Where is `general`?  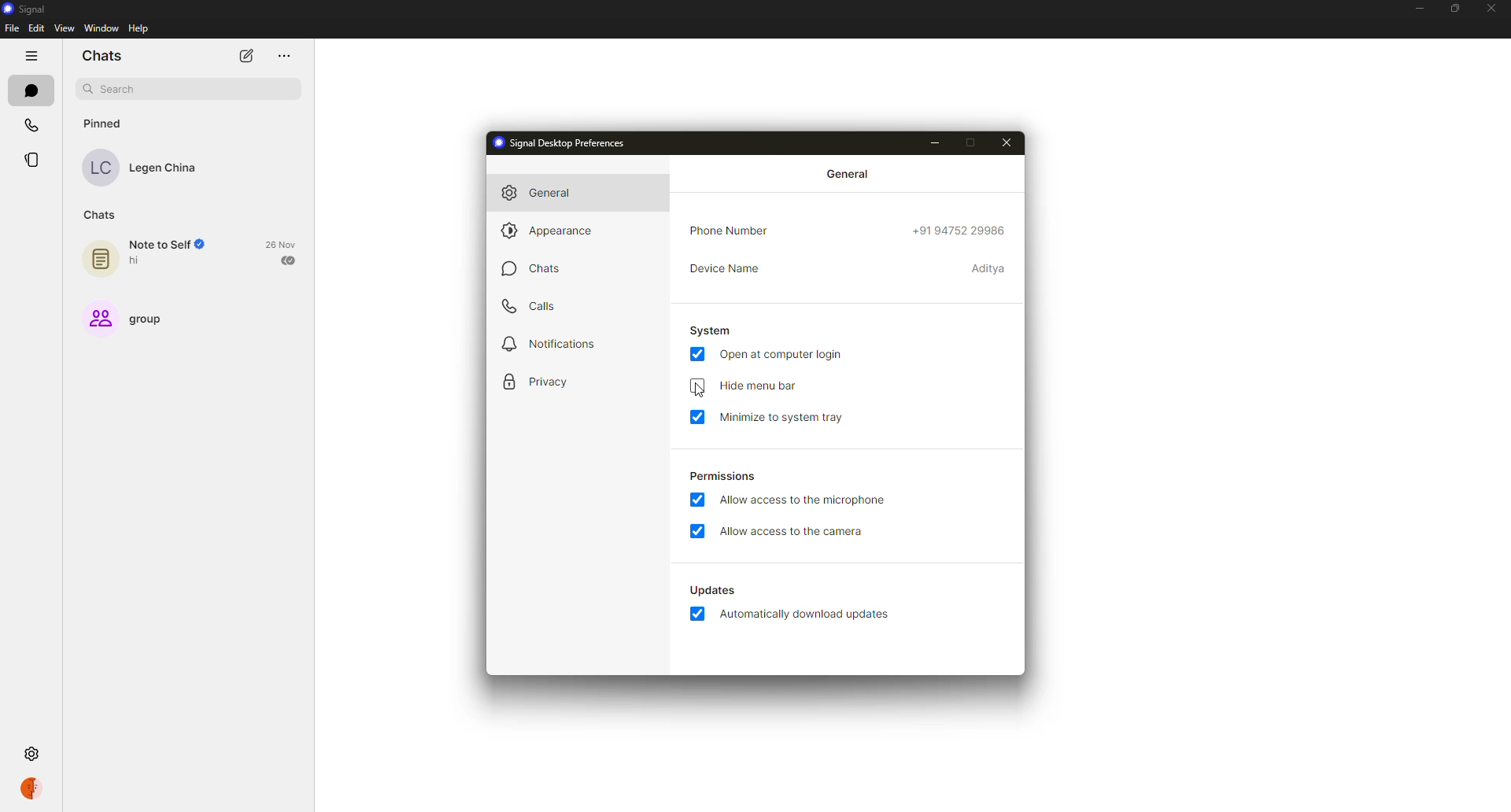
general is located at coordinates (850, 173).